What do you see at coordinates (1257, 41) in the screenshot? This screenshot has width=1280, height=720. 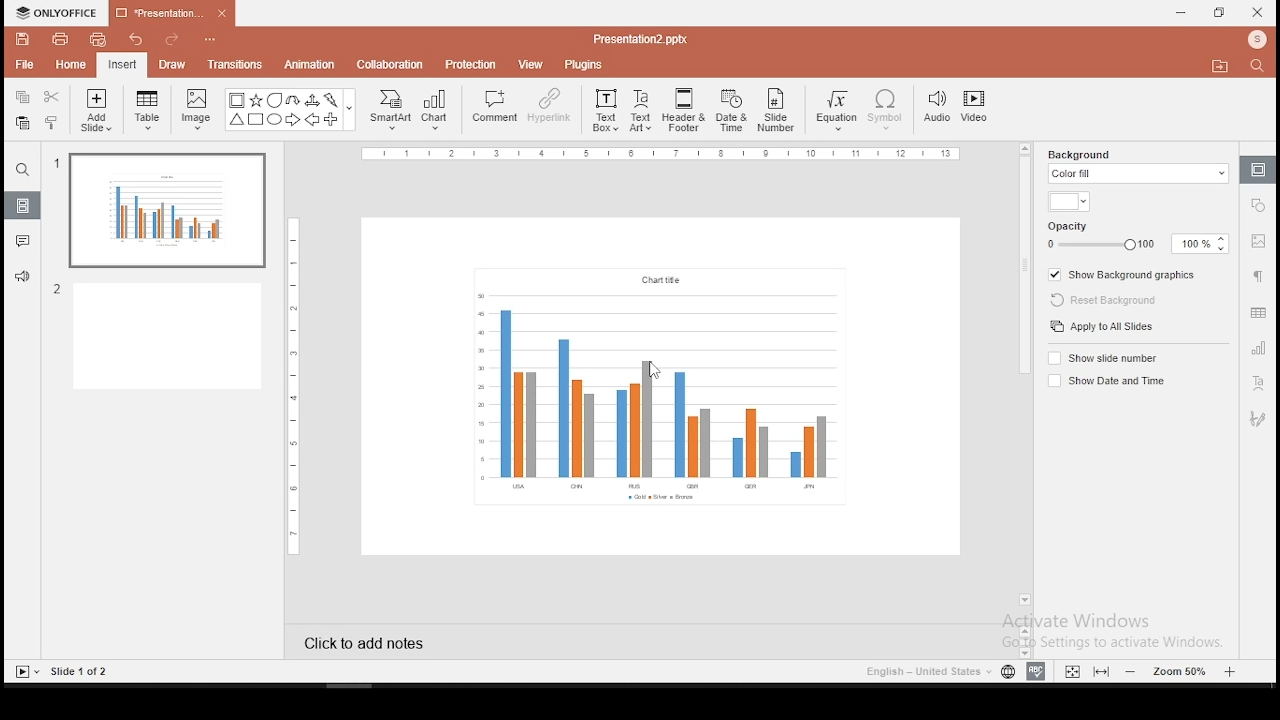 I see `icon` at bounding box center [1257, 41].